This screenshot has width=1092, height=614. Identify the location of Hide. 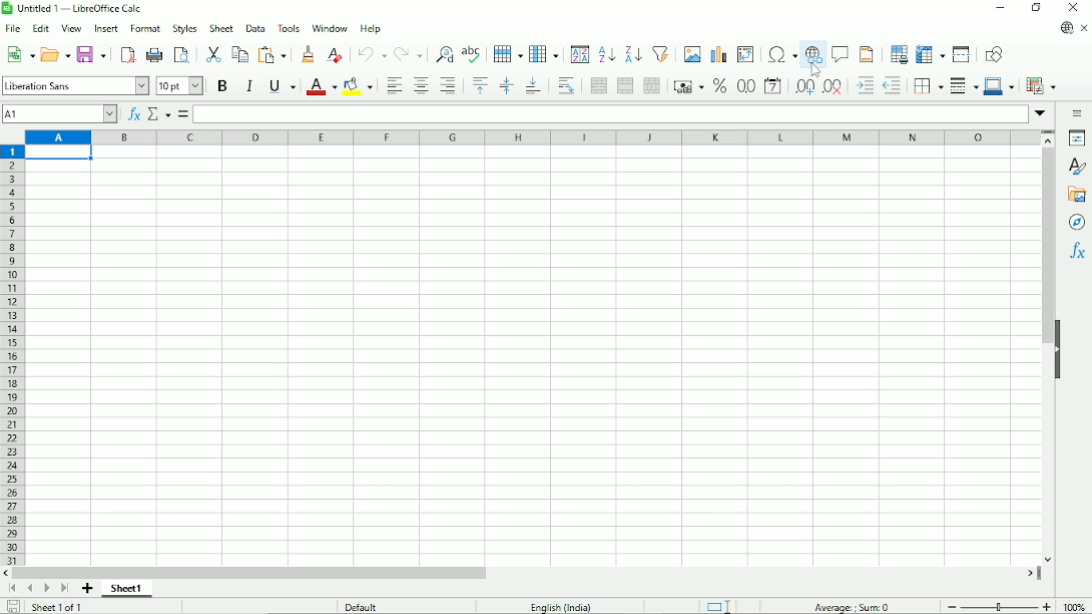
(1061, 347).